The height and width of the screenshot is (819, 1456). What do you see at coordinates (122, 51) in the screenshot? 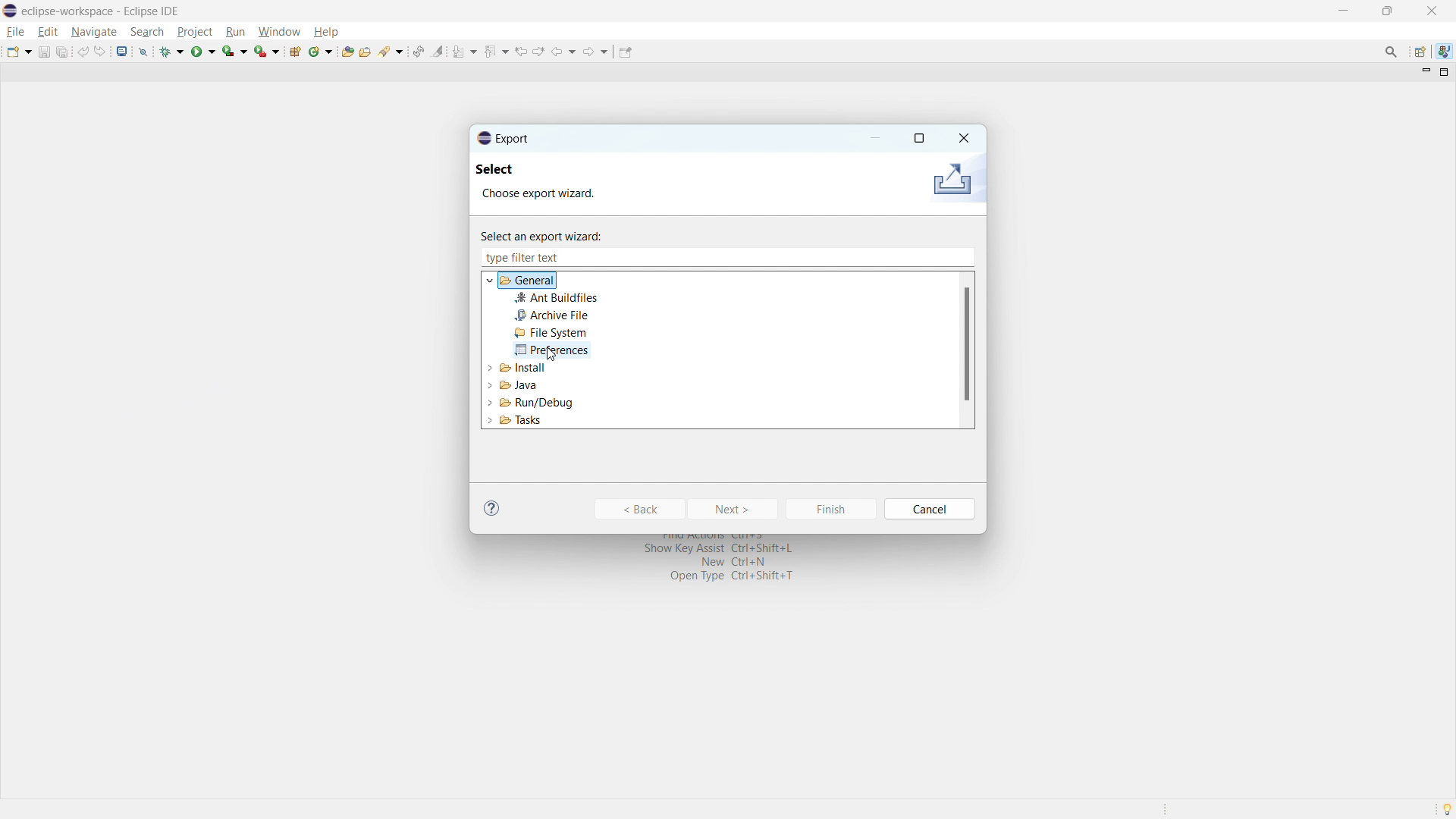
I see `open console` at bounding box center [122, 51].